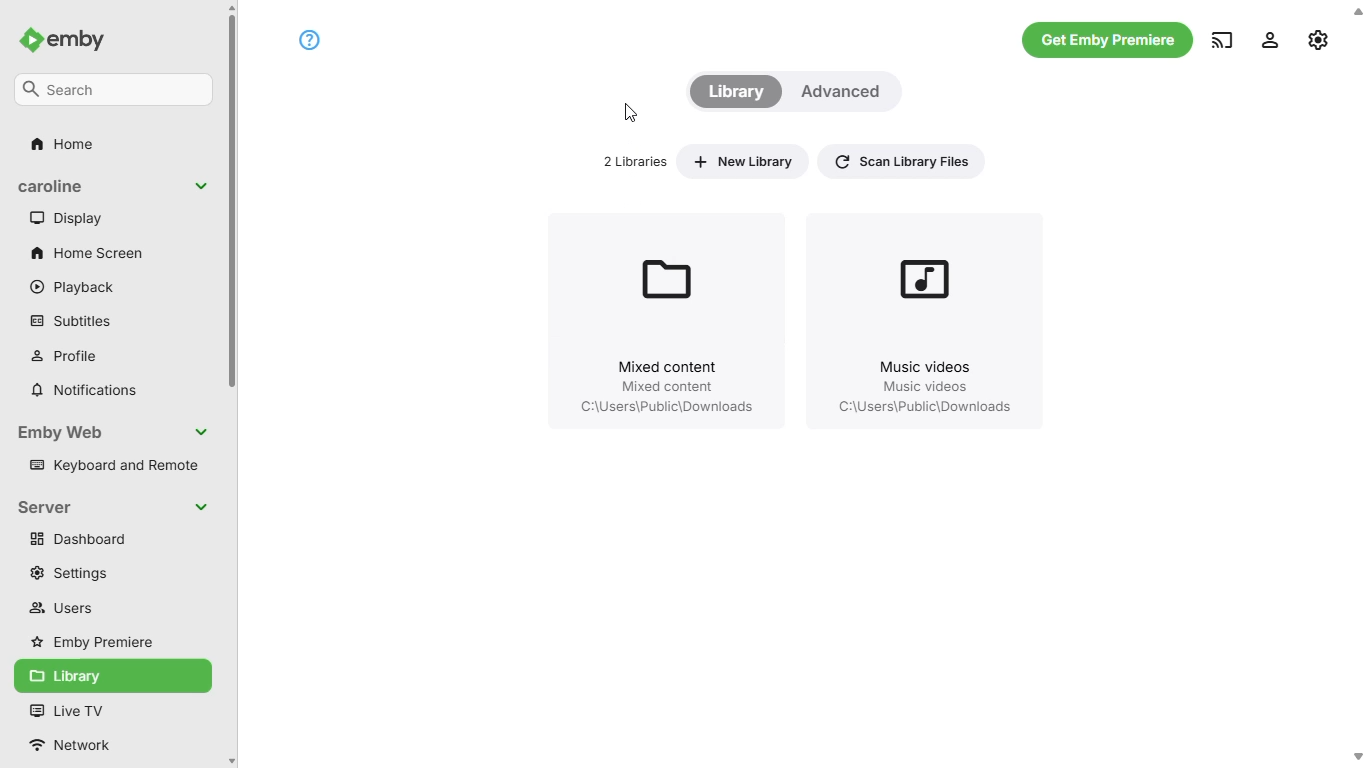 This screenshot has height=768, width=1366. Describe the element at coordinates (73, 288) in the screenshot. I see `playback` at that location.